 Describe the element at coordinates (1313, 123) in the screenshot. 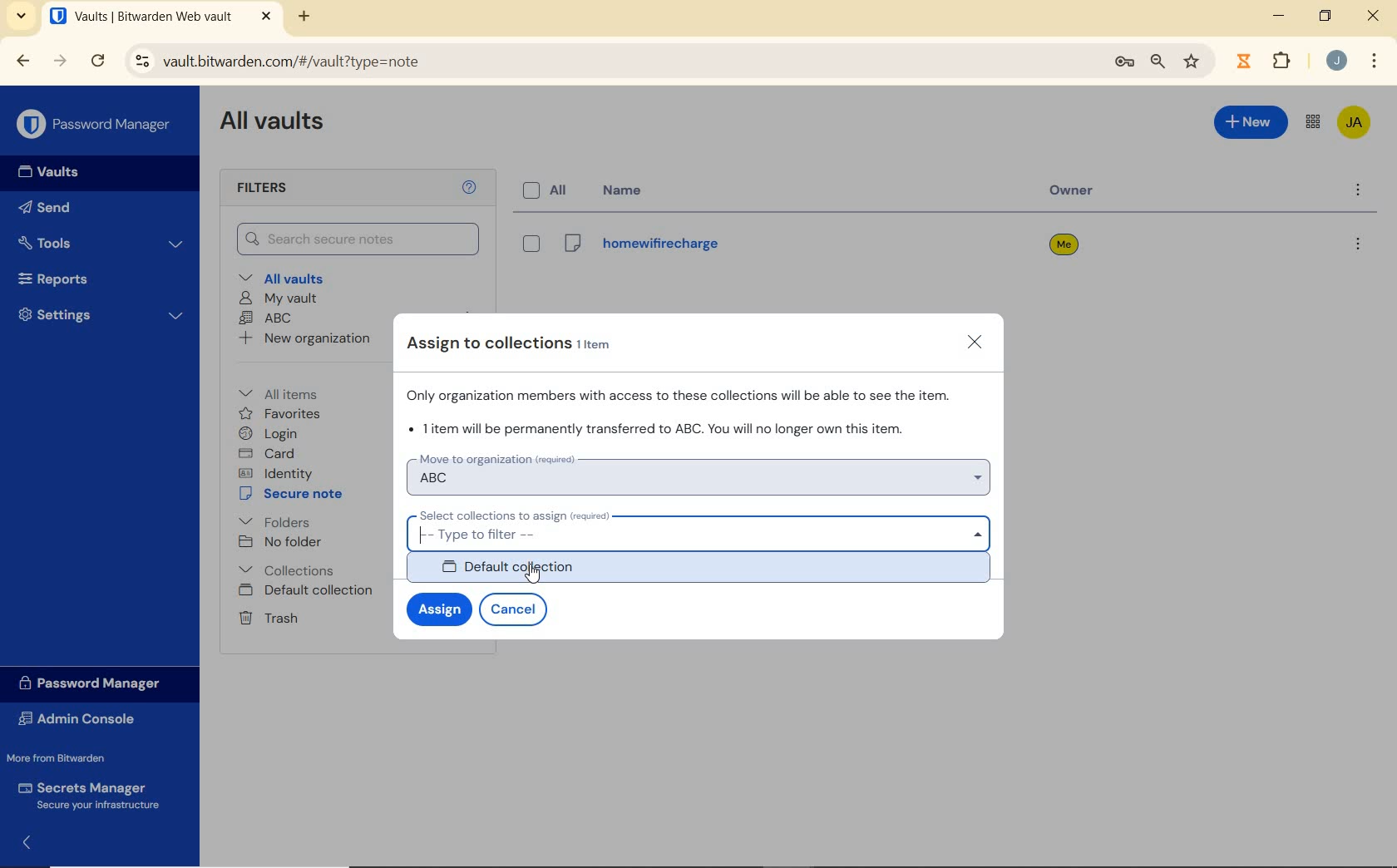

I see `toggle between admin console and password manager` at that location.